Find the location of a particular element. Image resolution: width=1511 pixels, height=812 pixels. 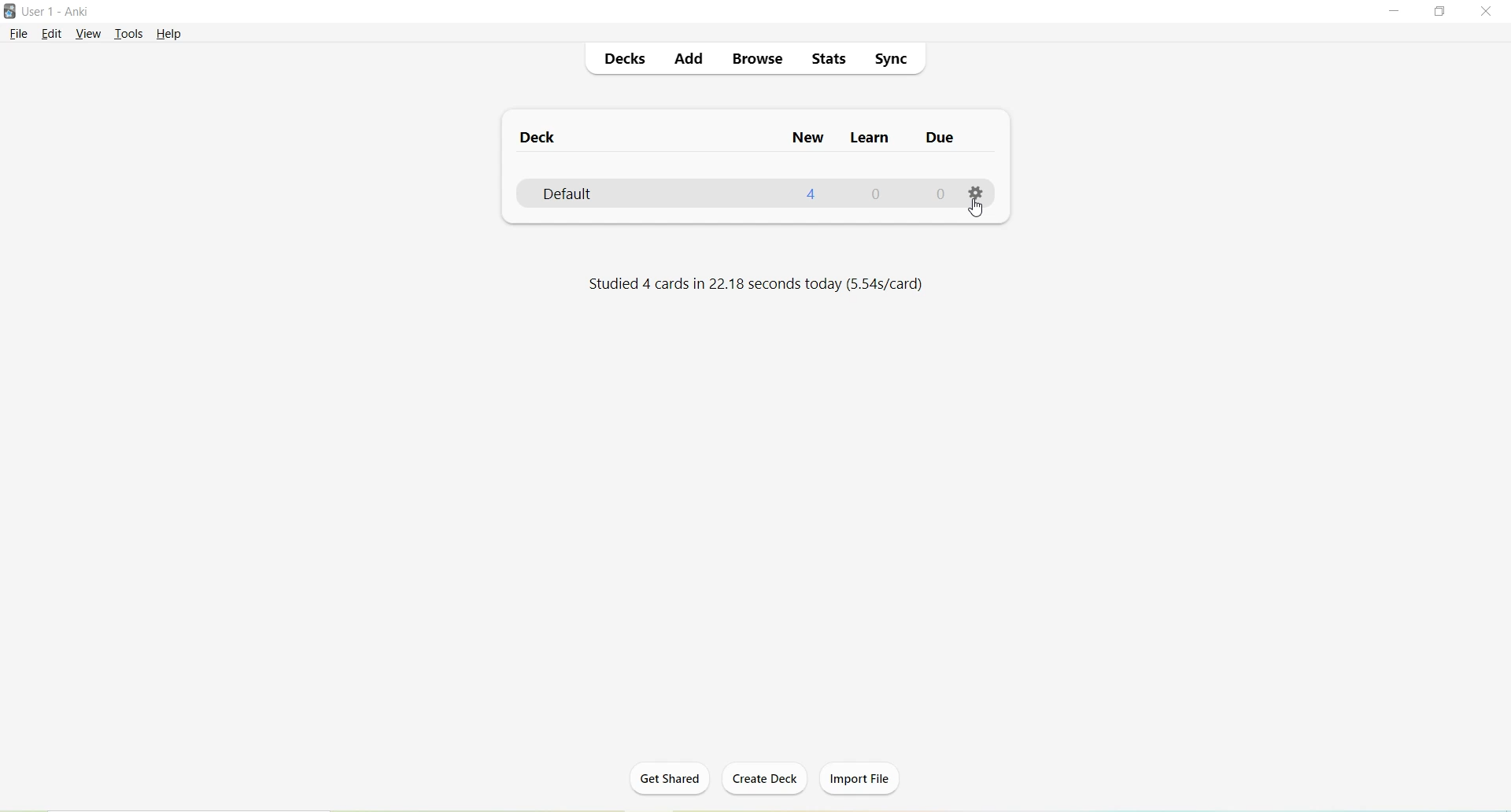

0 is located at coordinates (938, 193).